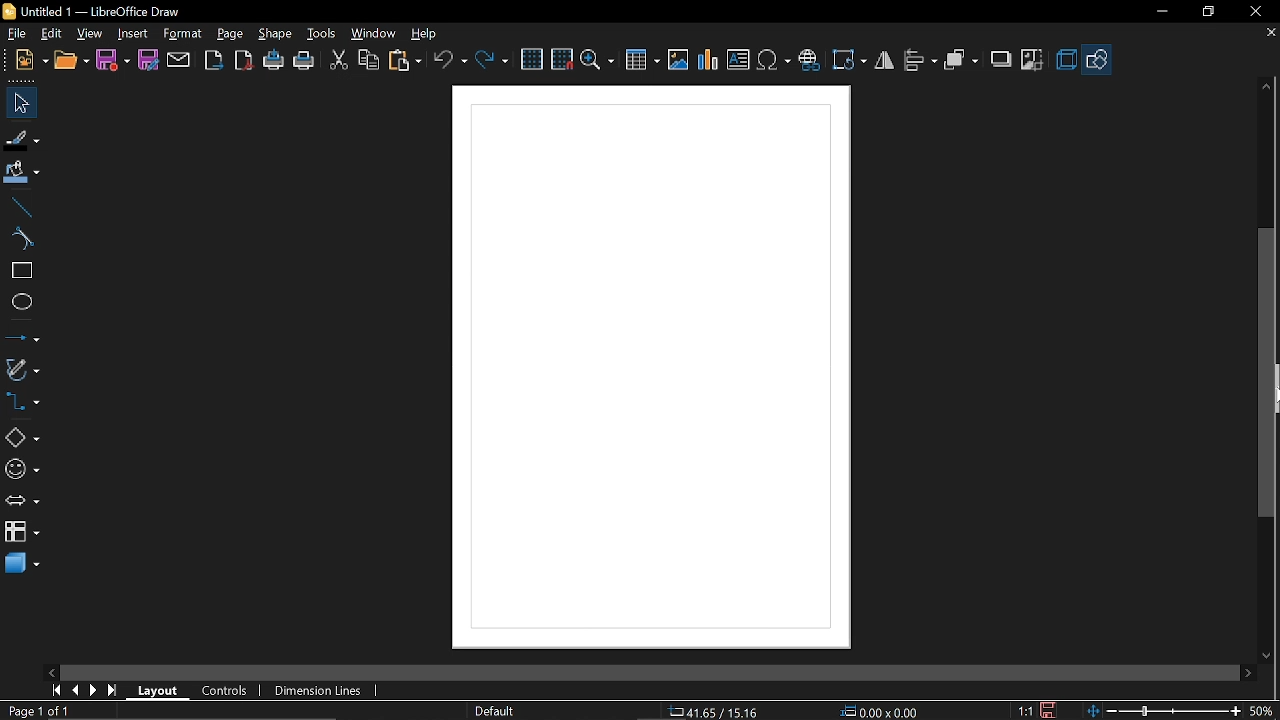 The width and height of the screenshot is (1280, 720). I want to click on window, so click(374, 34).